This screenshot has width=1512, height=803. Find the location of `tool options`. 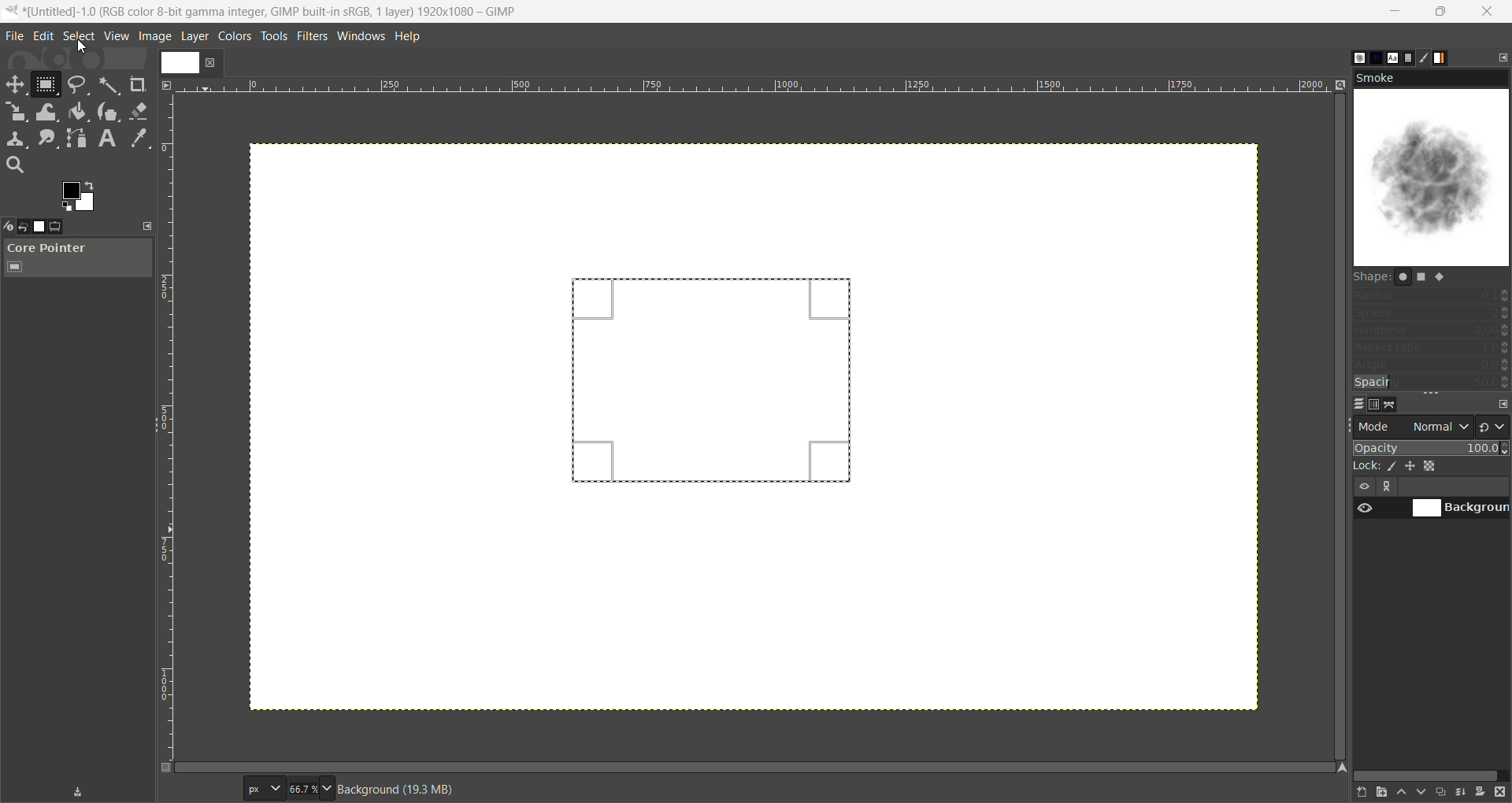

tool options is located at coordinates (55, 227).